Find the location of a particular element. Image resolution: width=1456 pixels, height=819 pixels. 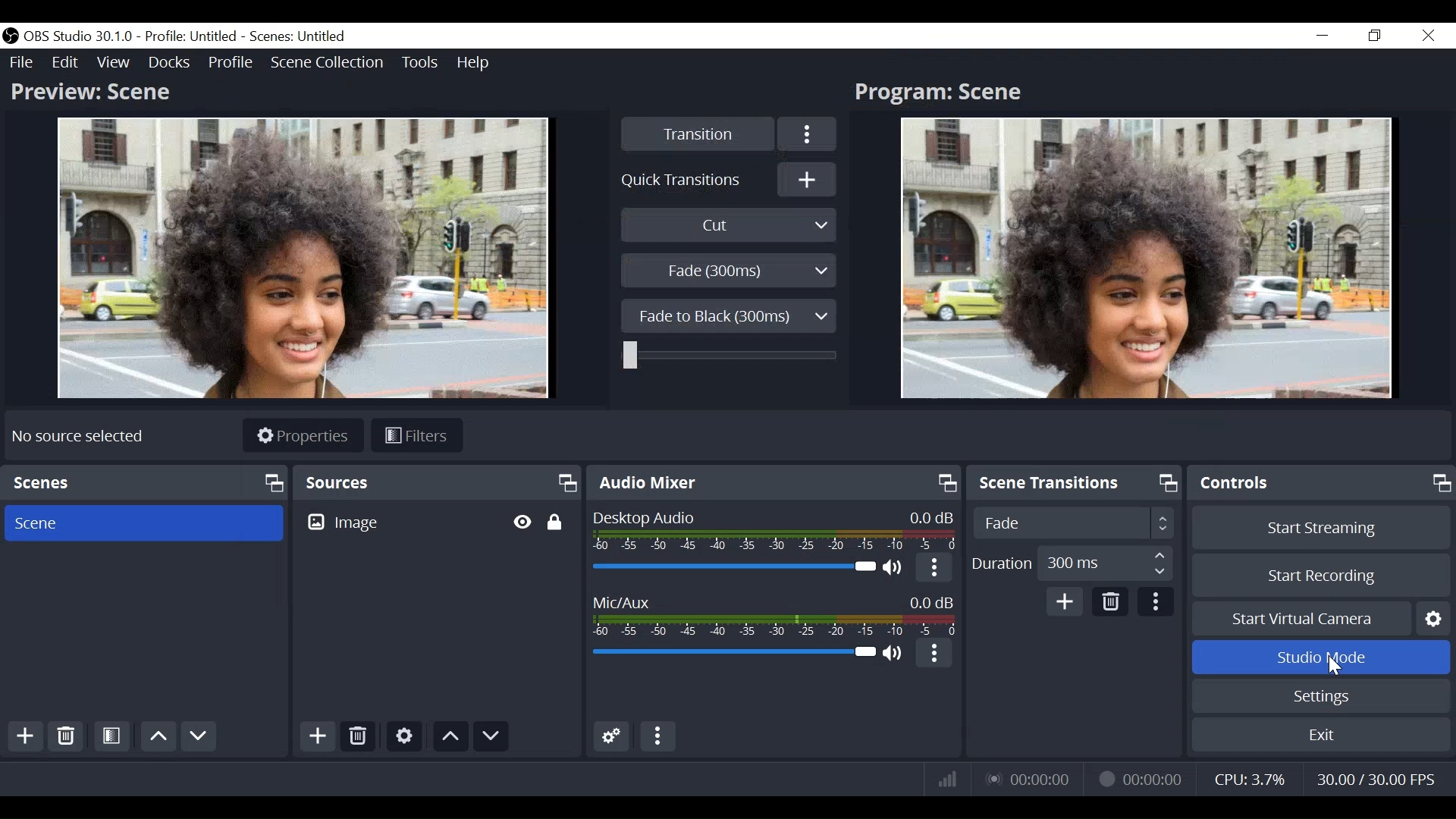

Toggle Lock/Unlock is located at coordinates (558, 519).